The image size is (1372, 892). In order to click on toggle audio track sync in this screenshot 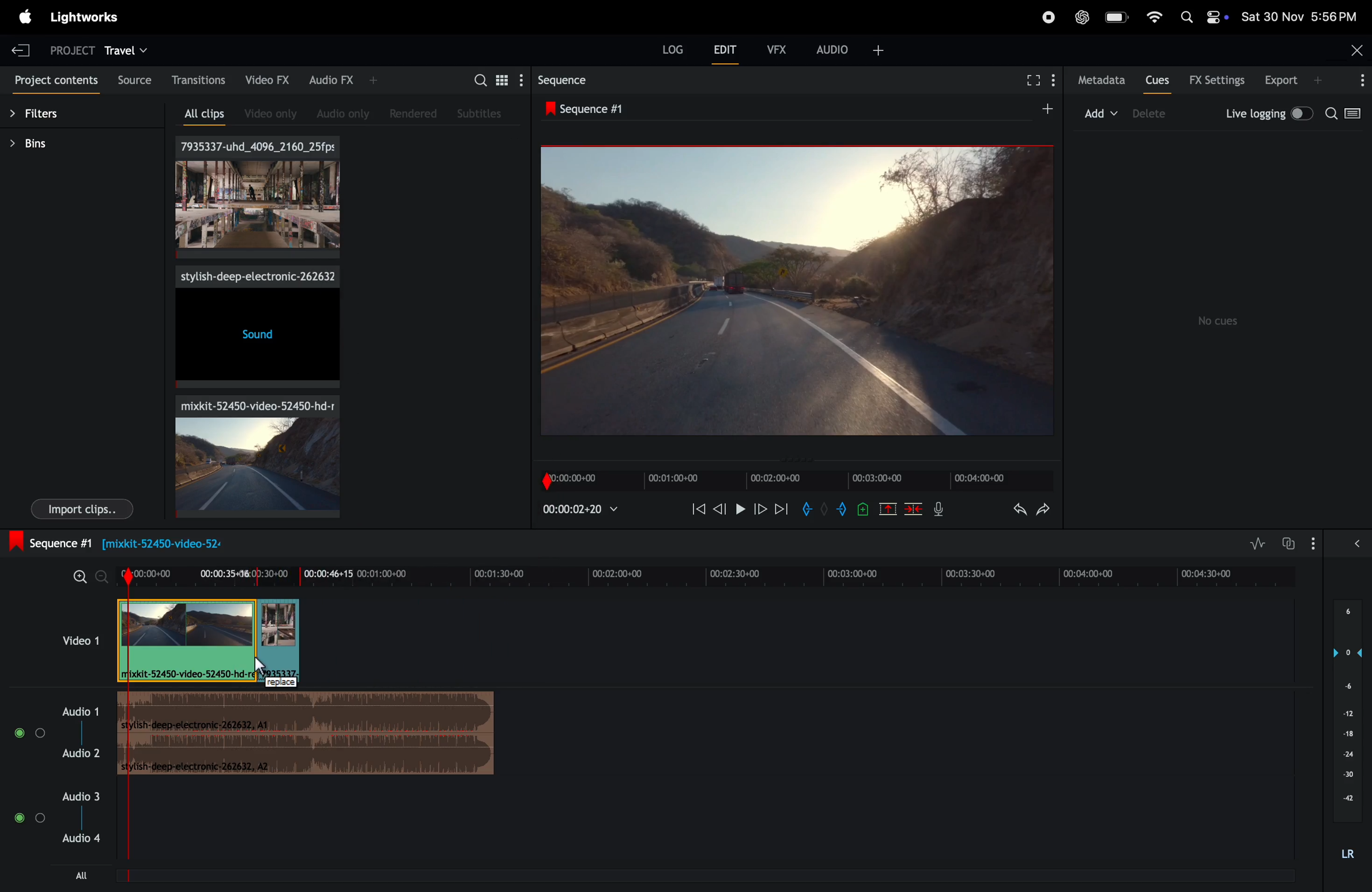, I will do `click(1291, 542)`.